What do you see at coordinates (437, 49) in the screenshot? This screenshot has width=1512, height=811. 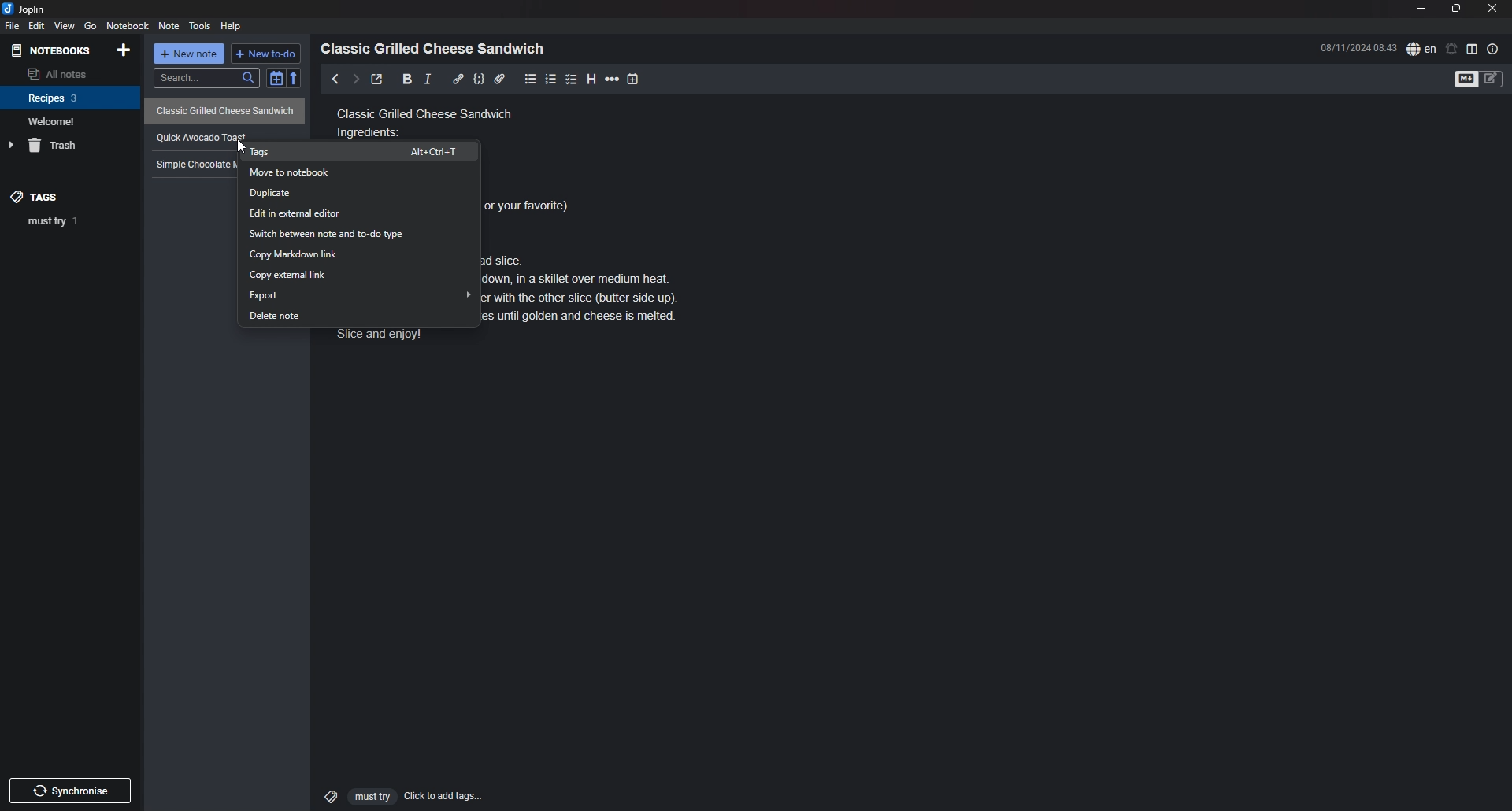 I see `heading` at bounding box center [437, 49].